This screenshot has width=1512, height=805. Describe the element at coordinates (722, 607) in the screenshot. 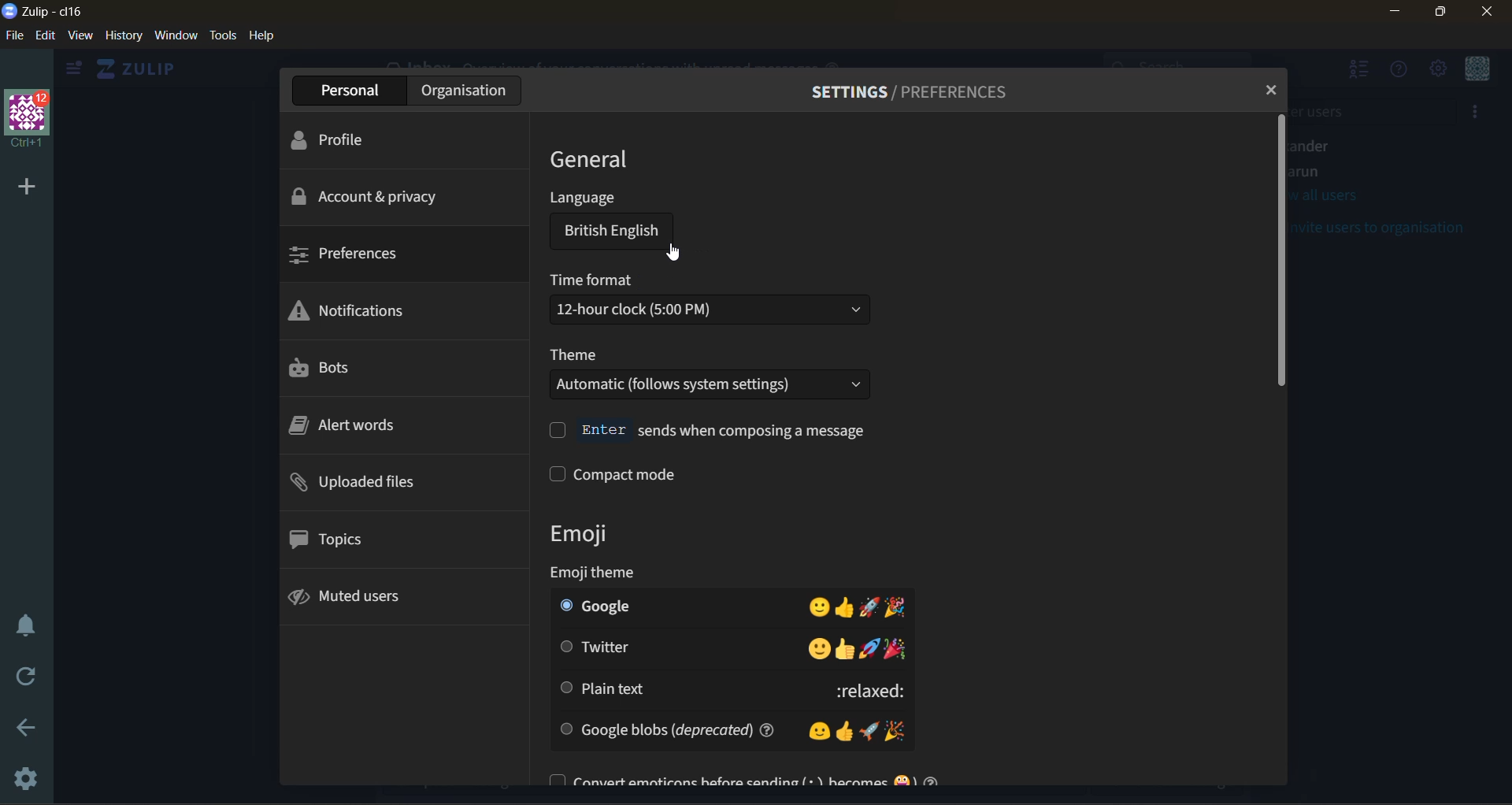

I see `google` at that location.